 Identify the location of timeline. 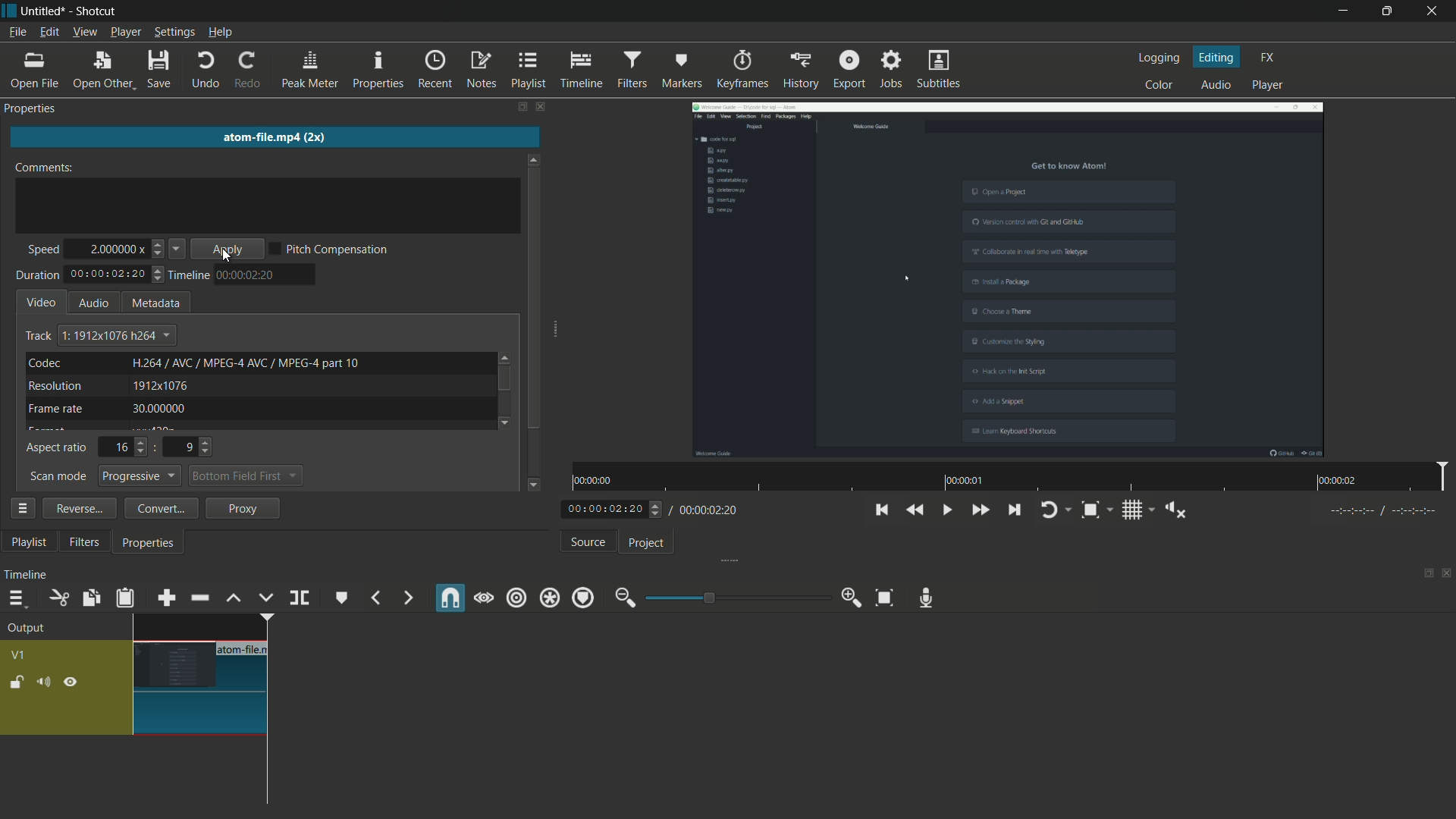
(579, 70).